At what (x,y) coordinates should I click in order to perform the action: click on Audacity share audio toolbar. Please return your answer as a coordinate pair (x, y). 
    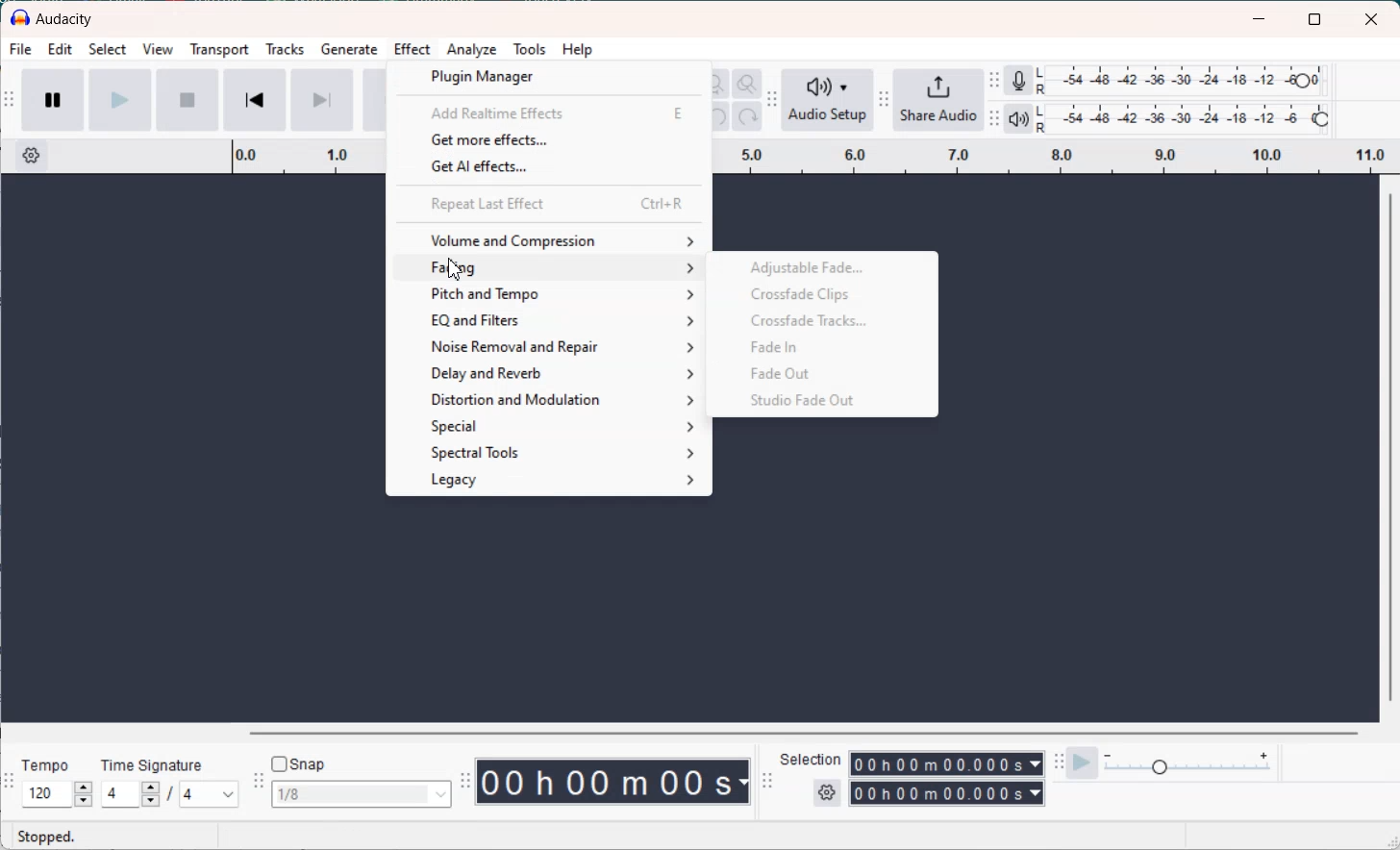
    Looking at the image, I should click on (884, 101).